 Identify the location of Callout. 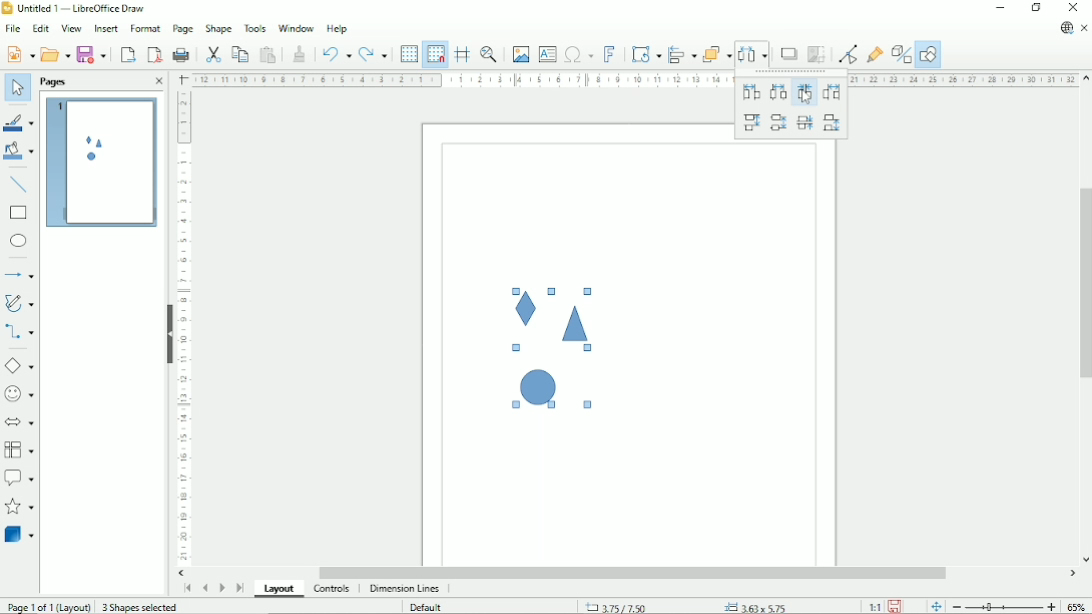
(19, 478).